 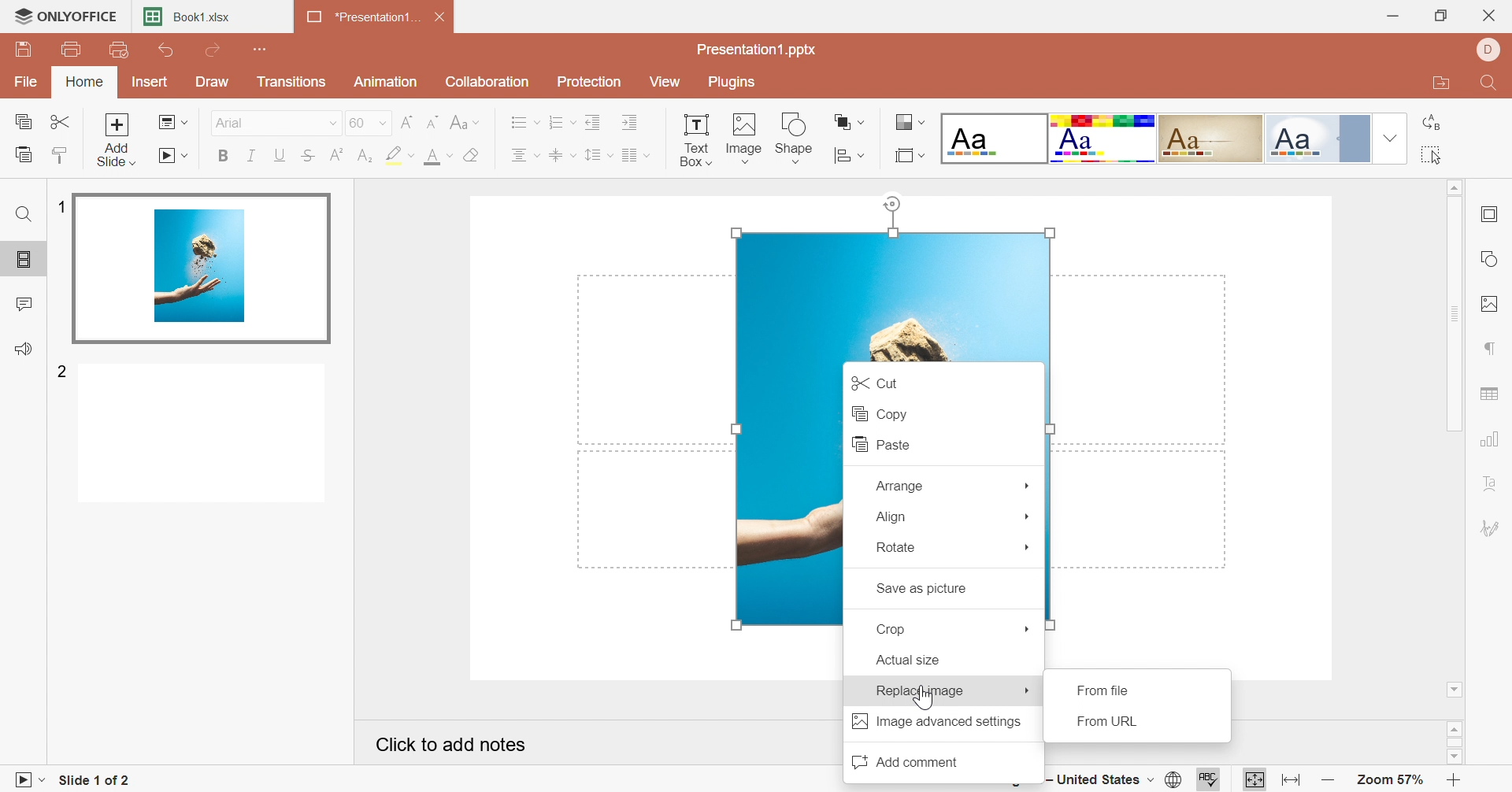 I want to click on Scroll Up, so click(x=1453, y=188).